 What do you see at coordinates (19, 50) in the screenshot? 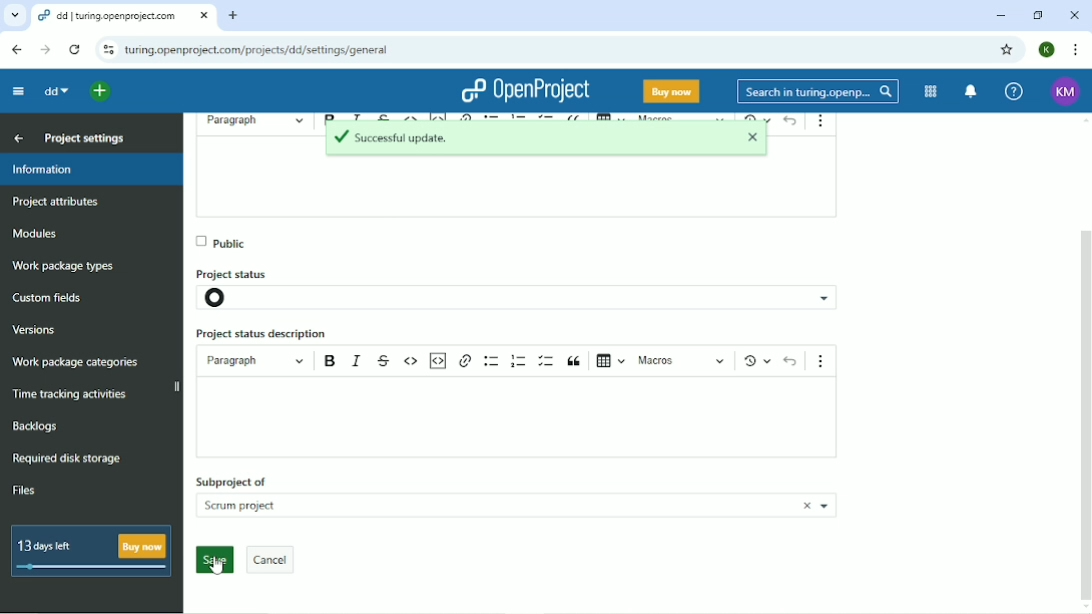
I see `Back` at bounding box center [19, 50].